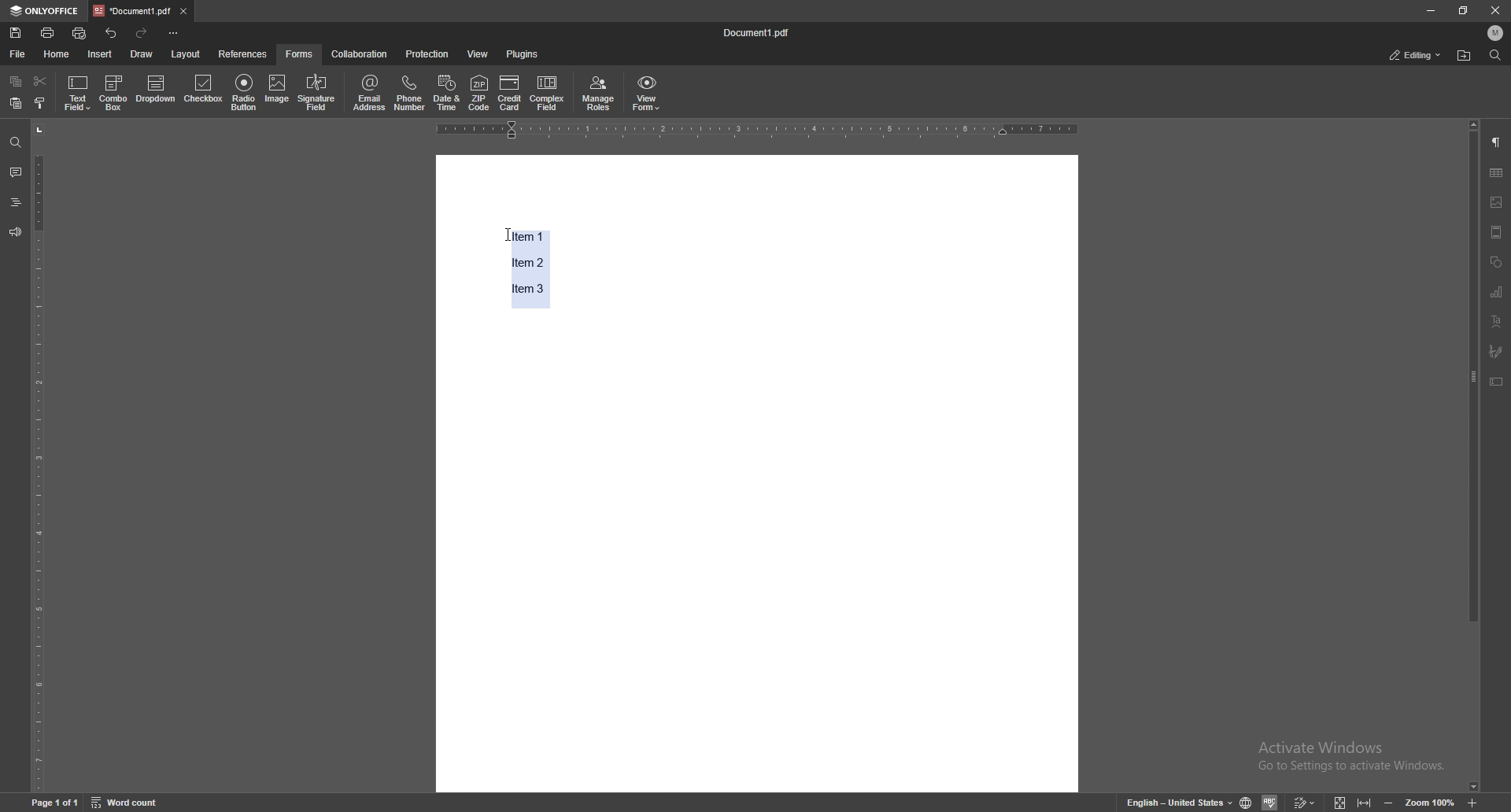  What do you see at coordinates (1247, 800) in the screenshot?
I see `change doc language` at bounding box center [1247, 800].